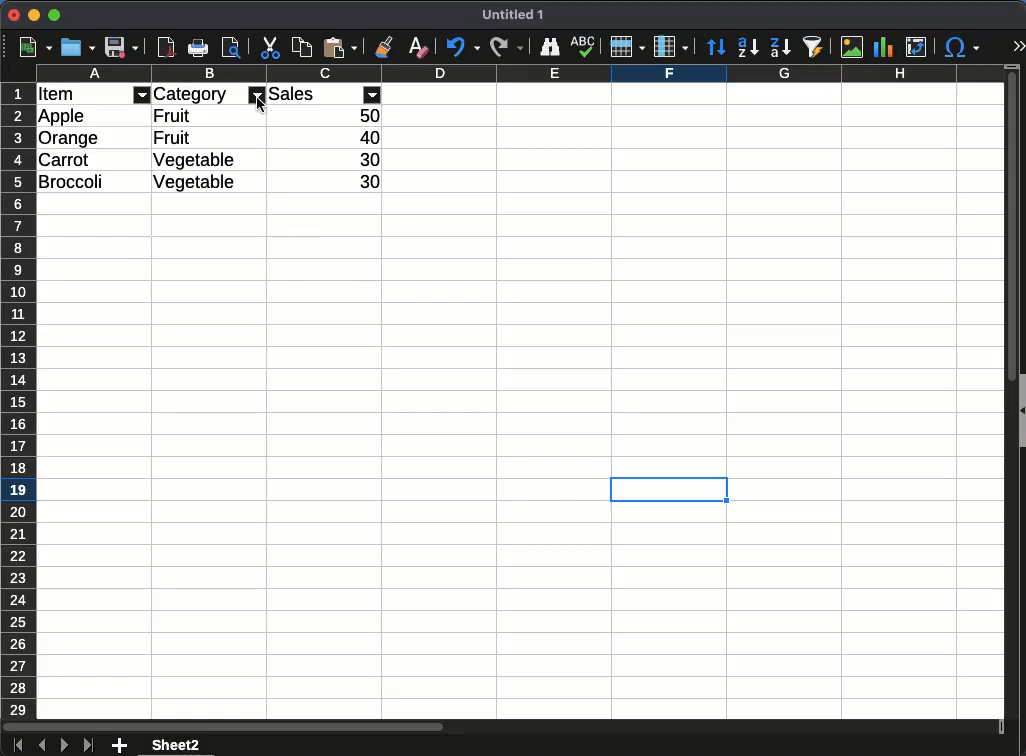 This screenshot has width=1026, height=756. I want to click on category, so click(193, 94).